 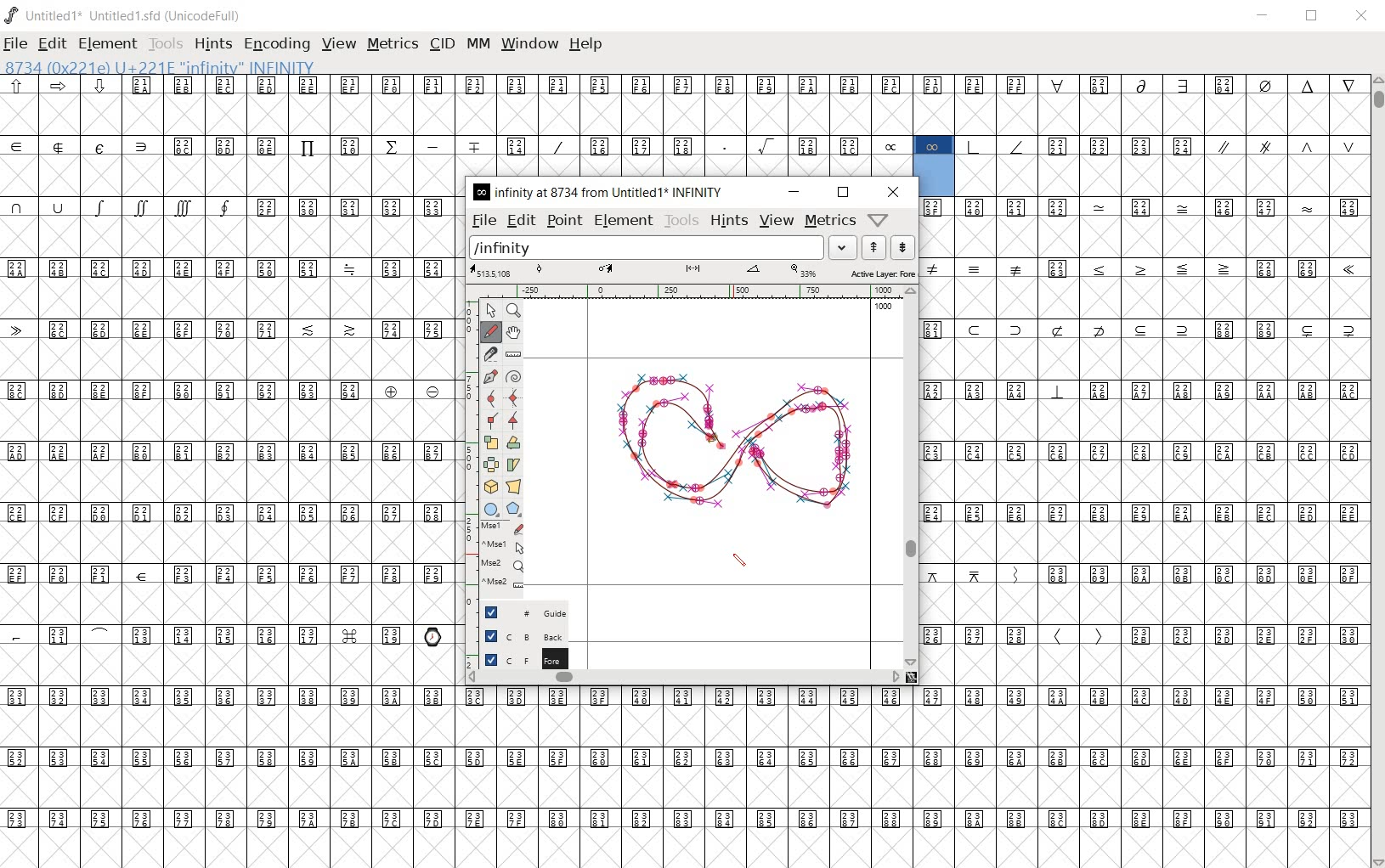 I want to click on special symbols, so click(x=82, y=145).